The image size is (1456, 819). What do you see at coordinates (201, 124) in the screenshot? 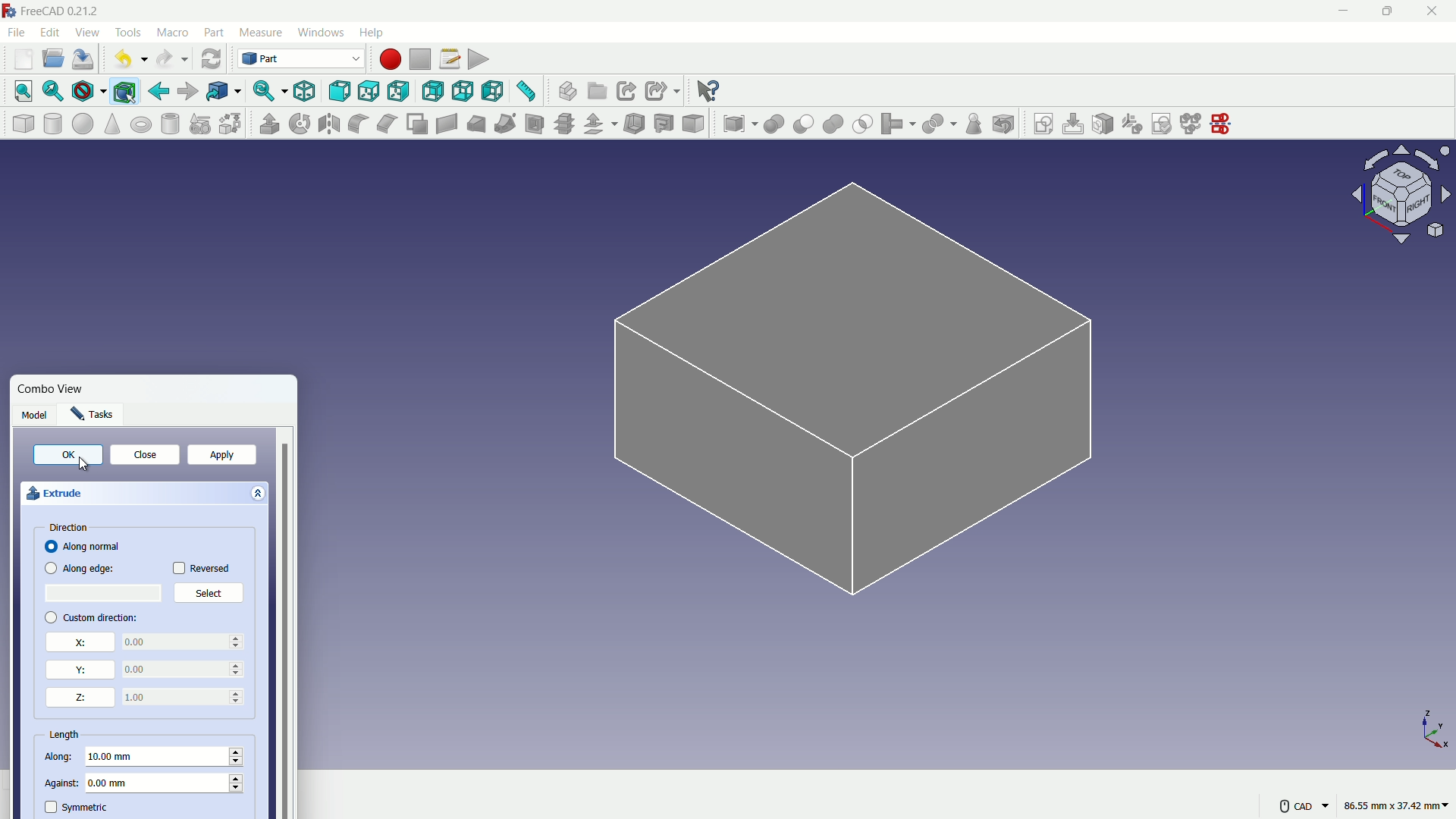
I see `create primitive` at bounding box center [201, 124].